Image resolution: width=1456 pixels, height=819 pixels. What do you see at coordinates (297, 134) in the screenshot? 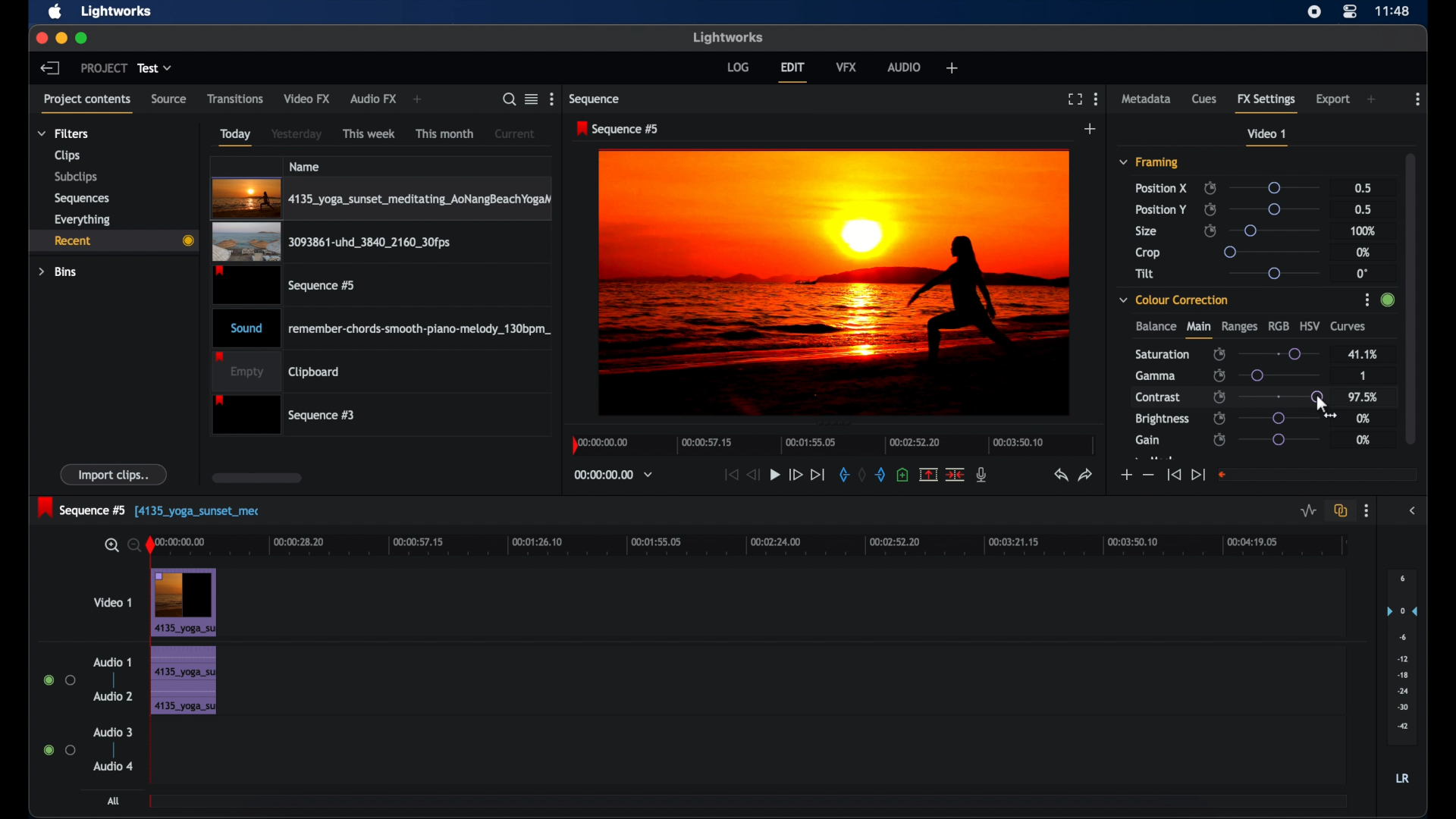
I see `yesterday` at bounding box center [297, 134].